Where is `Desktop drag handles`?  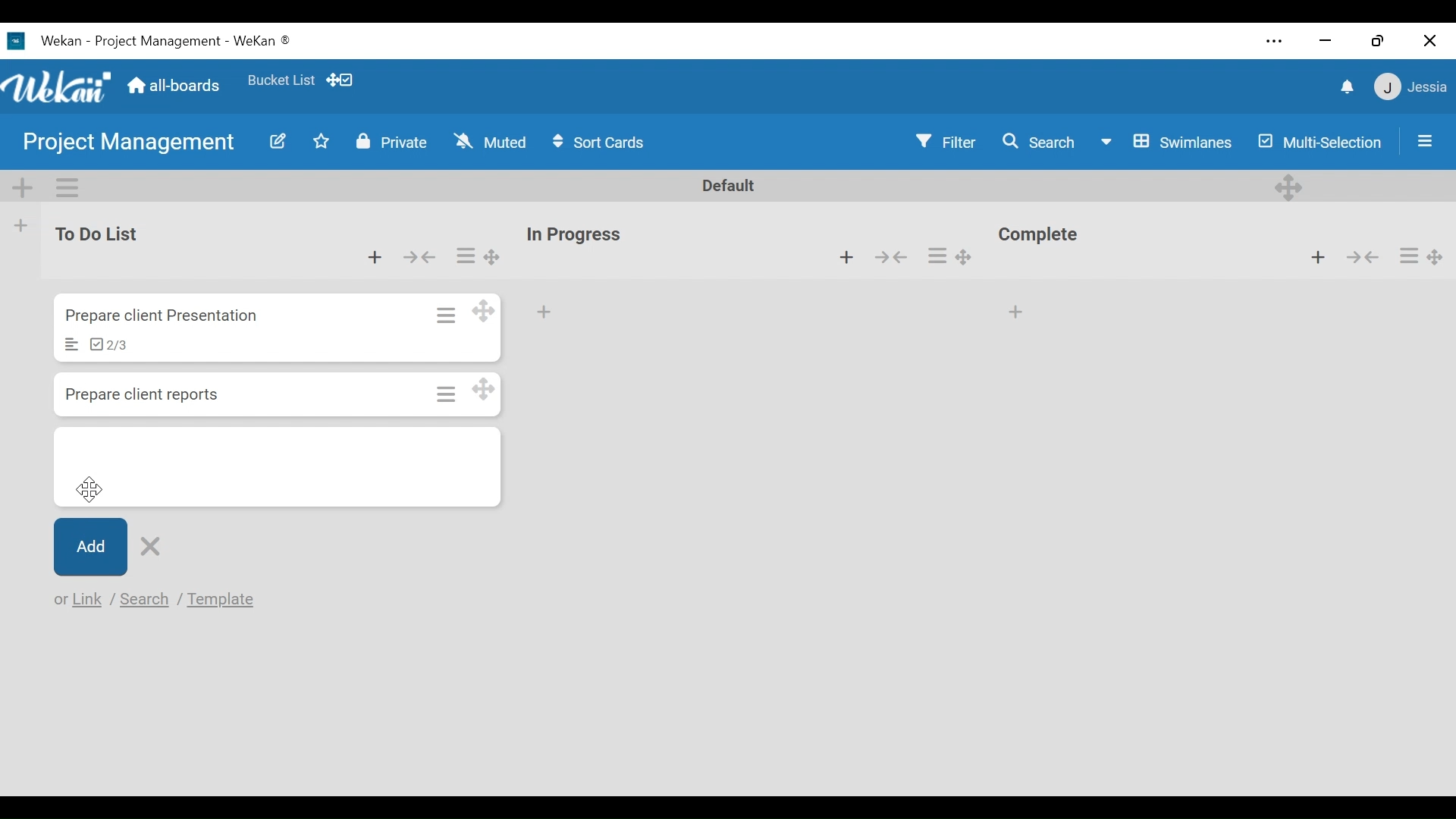 Desktop drag handles is located at coordinates (490, 257).